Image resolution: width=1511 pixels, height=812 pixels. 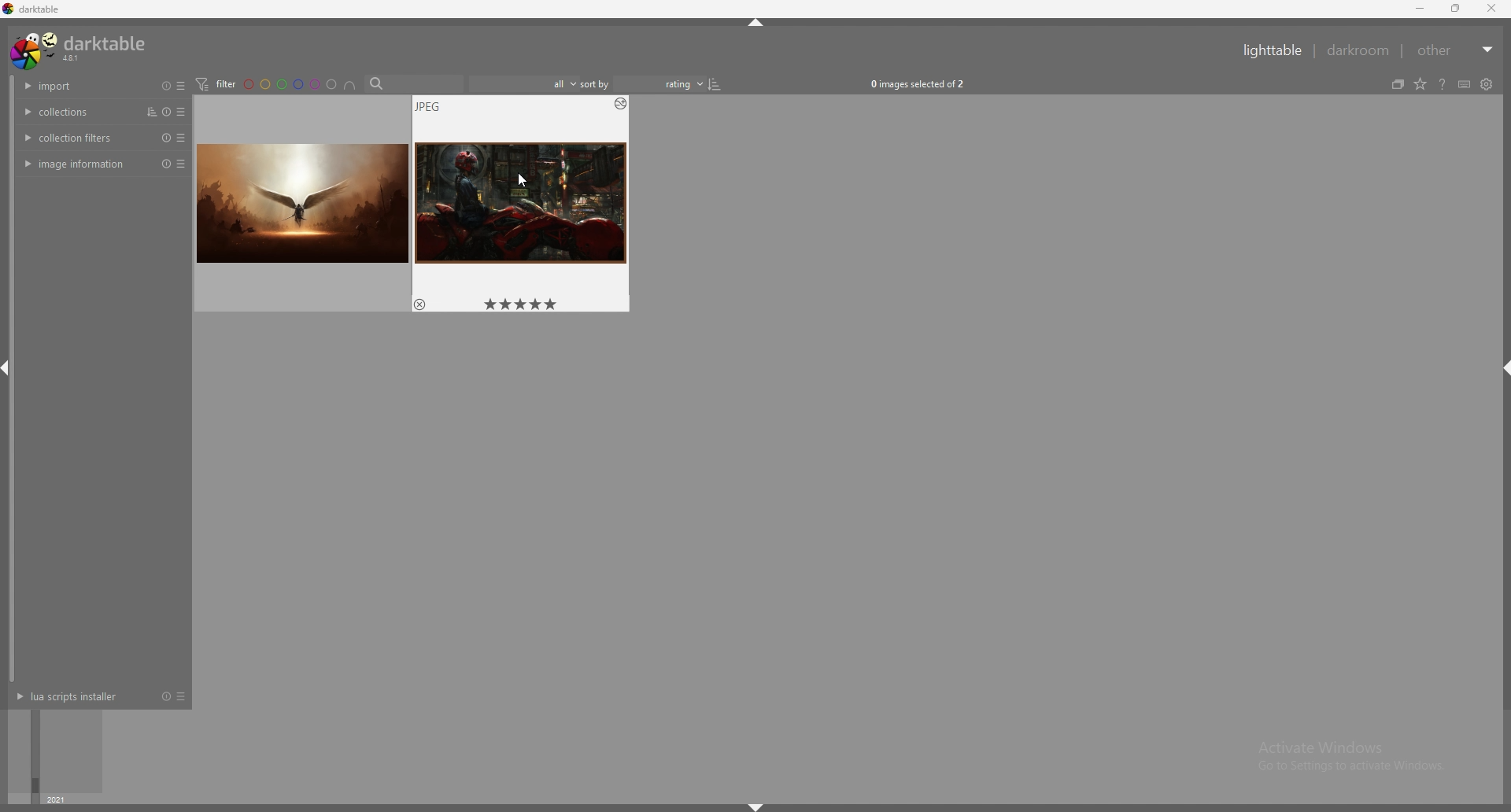 What do you see at coordinates (181, 86) in the screenshot?
I see `presets` at bounding box center [181, 86].